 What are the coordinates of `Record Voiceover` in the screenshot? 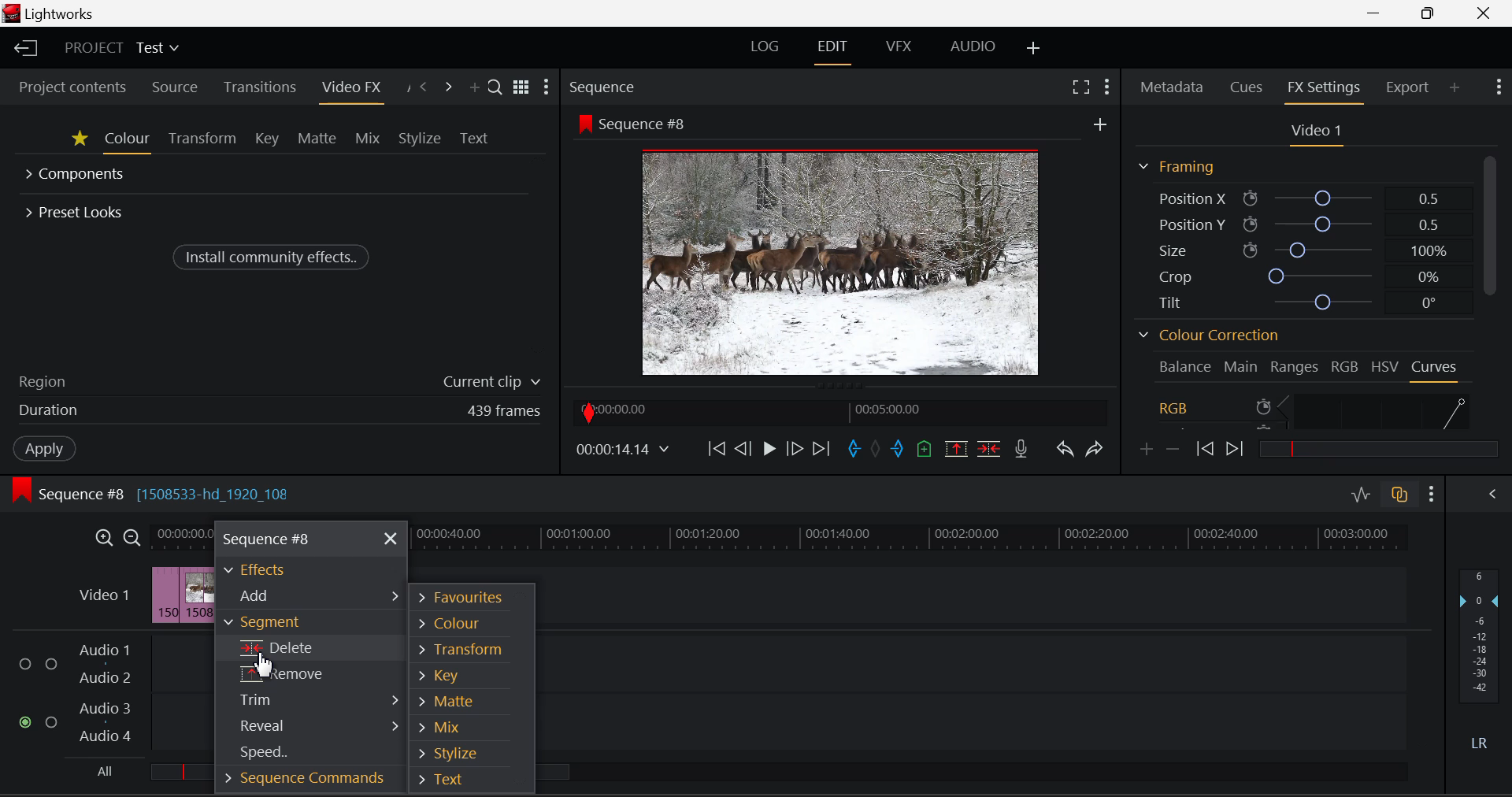 It's located at (1020, 450).